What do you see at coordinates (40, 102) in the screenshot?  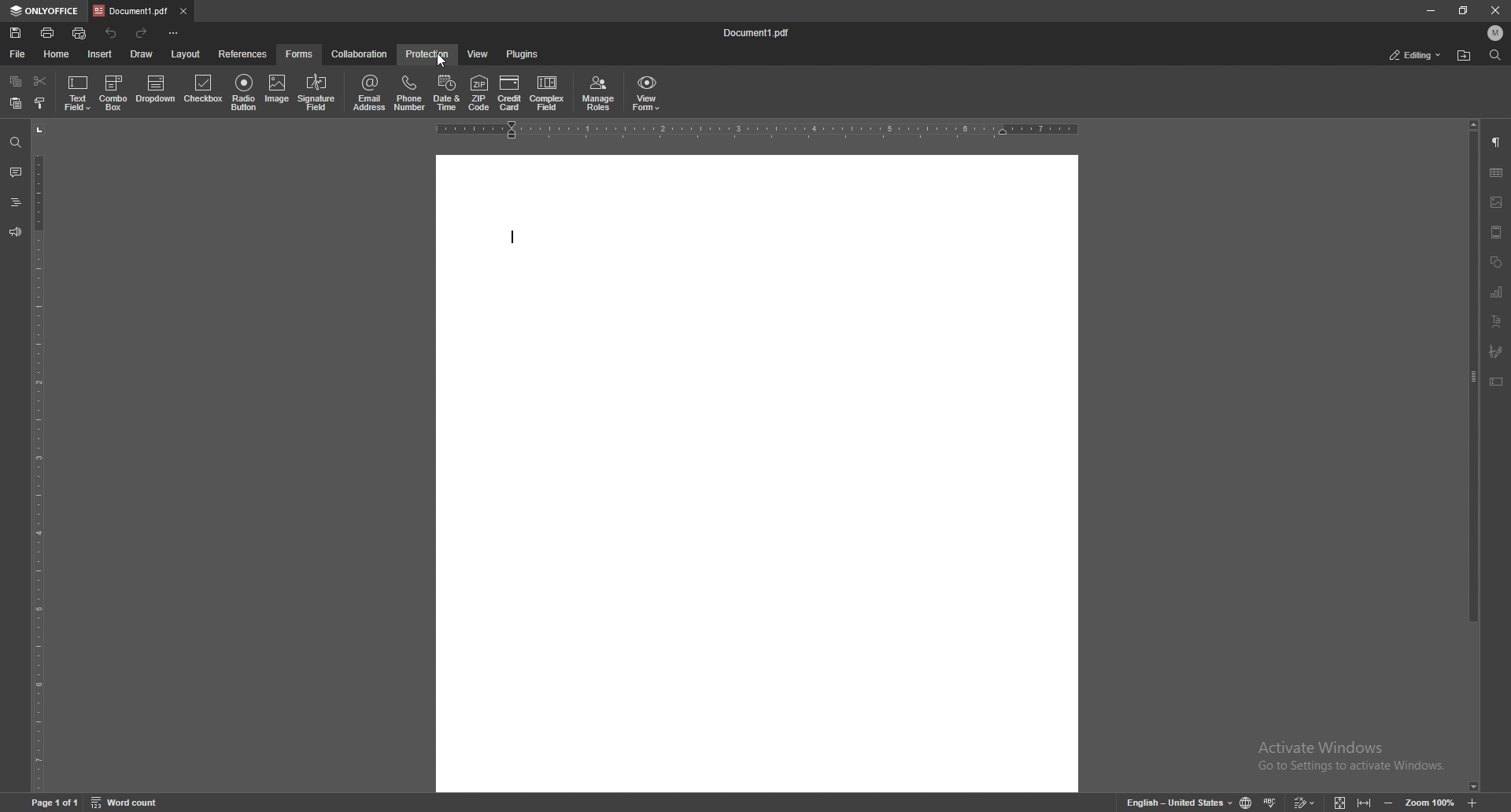 I see `copy style` at bounding box center [40, 102].